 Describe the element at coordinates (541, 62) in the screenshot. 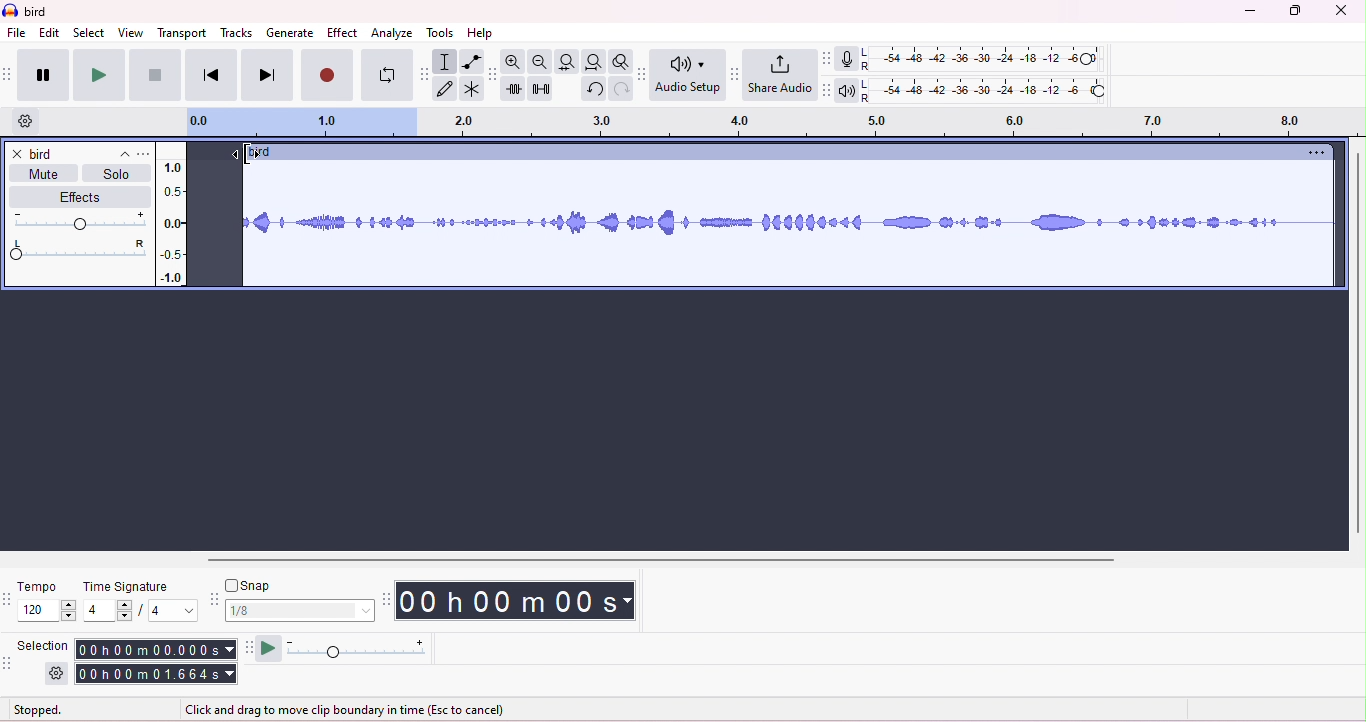

I see `zoom in` at that location.